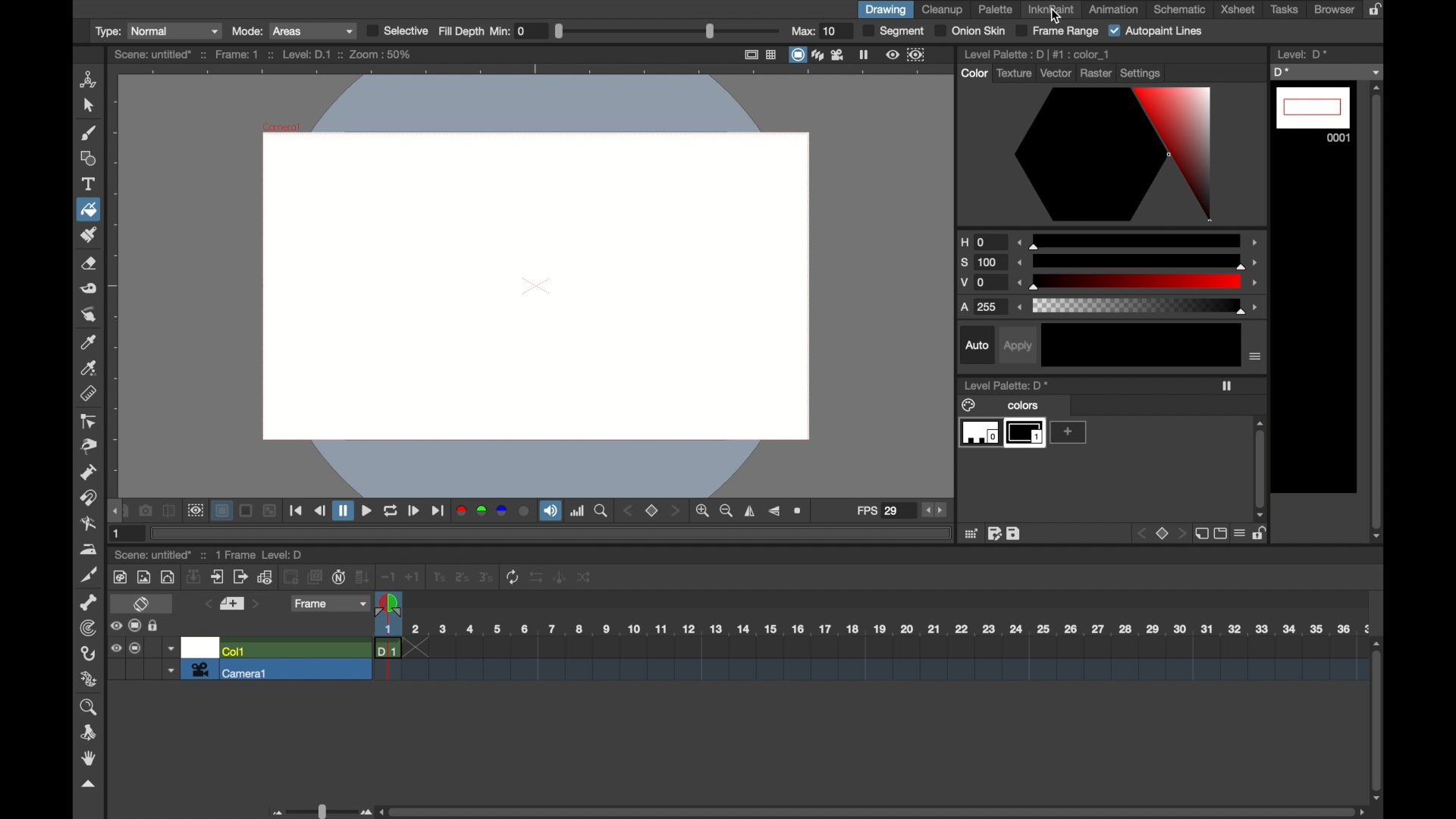 The image size is (1456, 819). I want to click on onion skin, so click(971, 30).